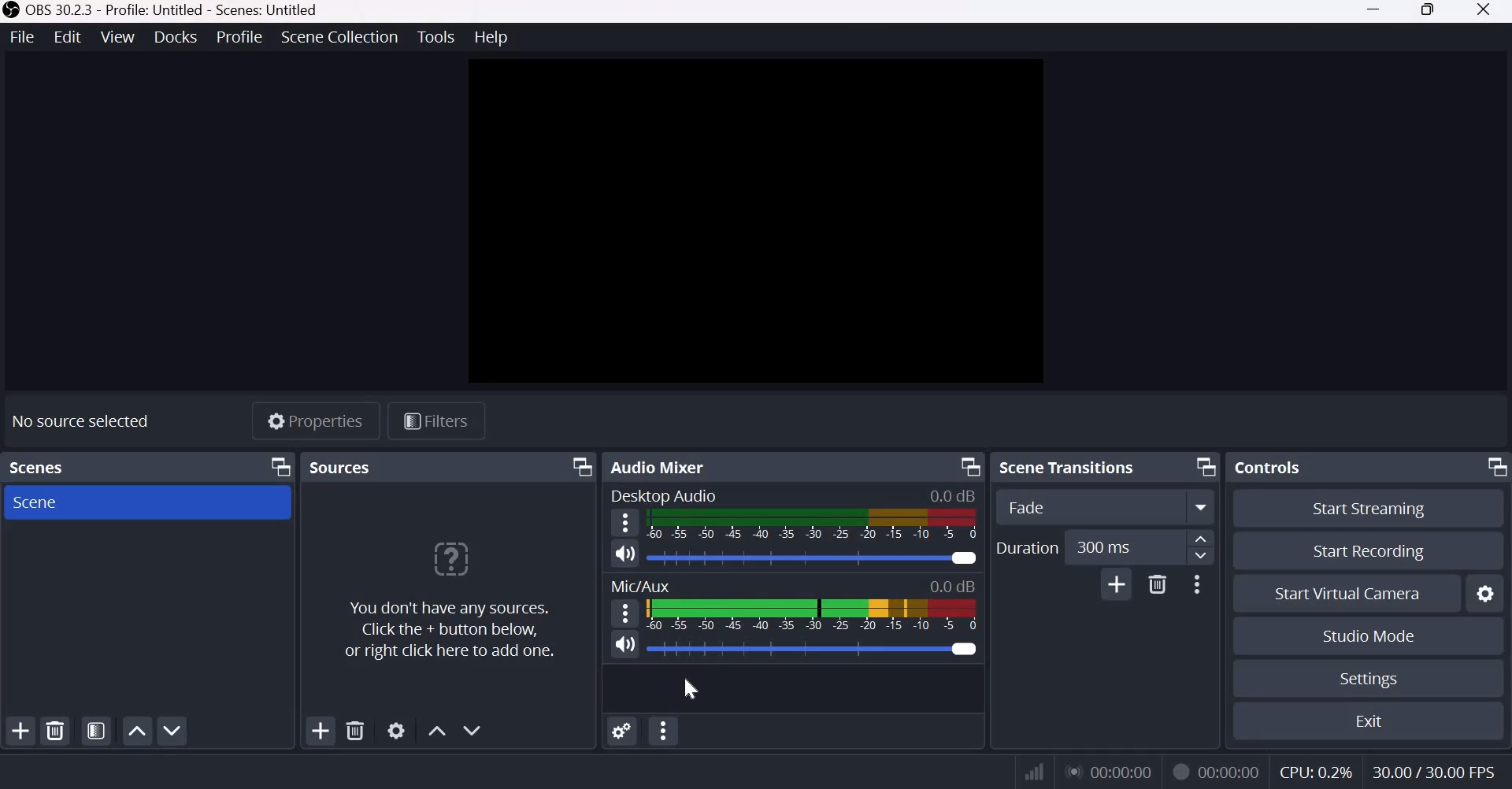 The height and width of the screenshot is (789, 1512). What do you see at coordinates (1032, 772) in the screenshot?
I see `Connection Status Indicator` at bounding box center [1032, 772].